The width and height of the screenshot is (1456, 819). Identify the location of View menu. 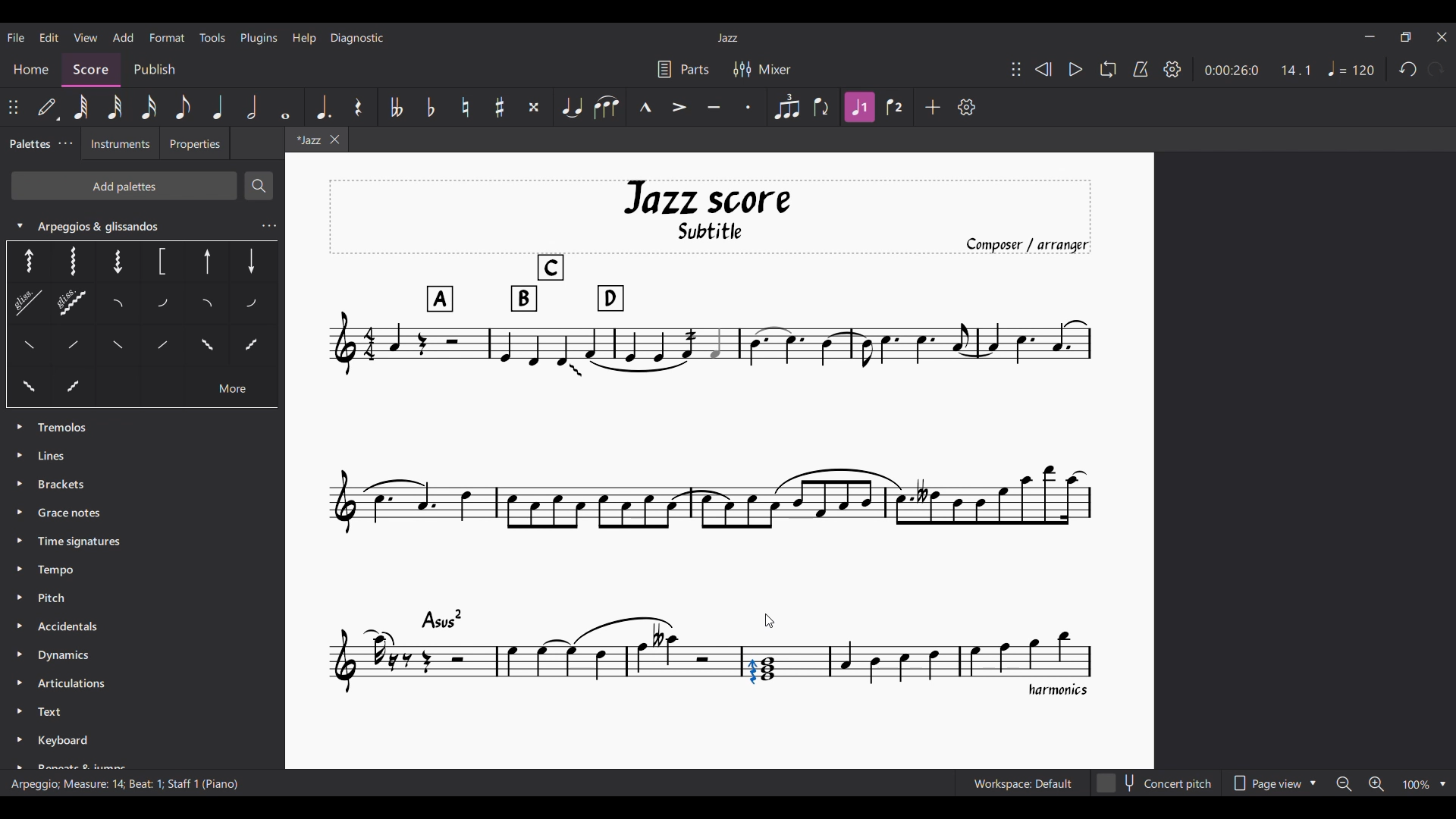
(86, 37).